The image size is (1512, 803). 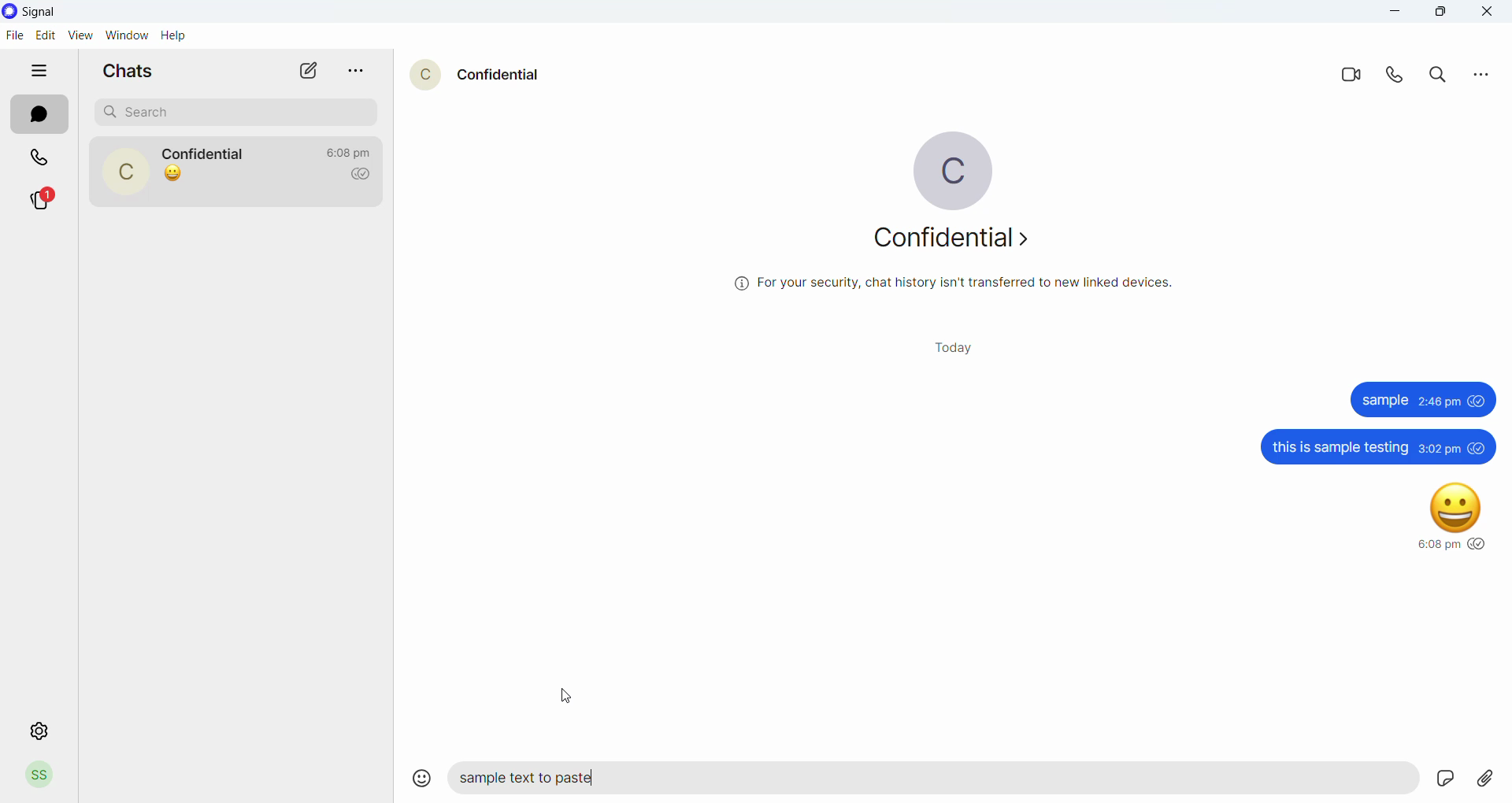 What do you see at coordinates (39, 117) in the screenshot?
I see `chats` at bounding box center [39, 117].